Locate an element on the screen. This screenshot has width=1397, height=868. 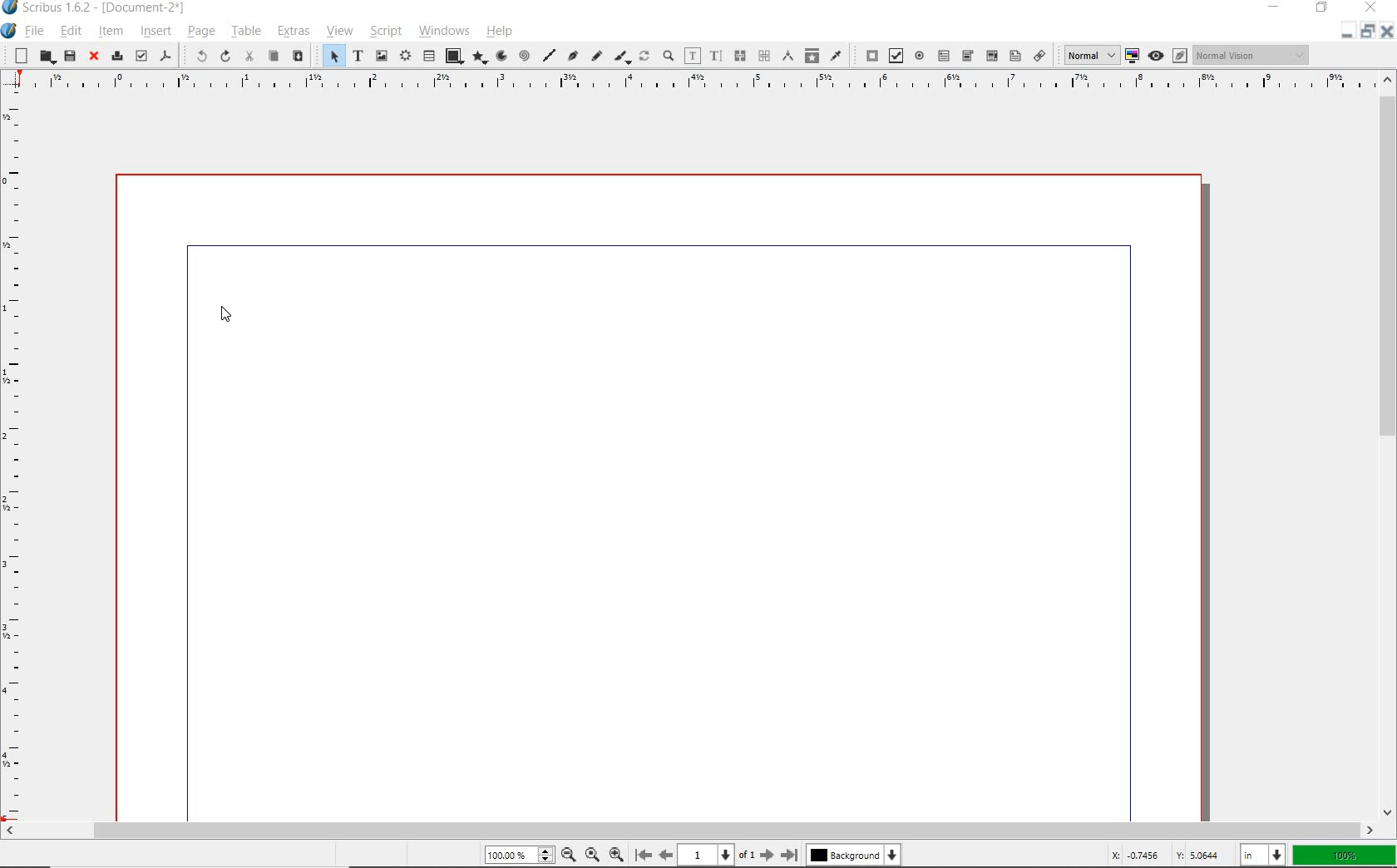
table is located at coordinates (246, 31).